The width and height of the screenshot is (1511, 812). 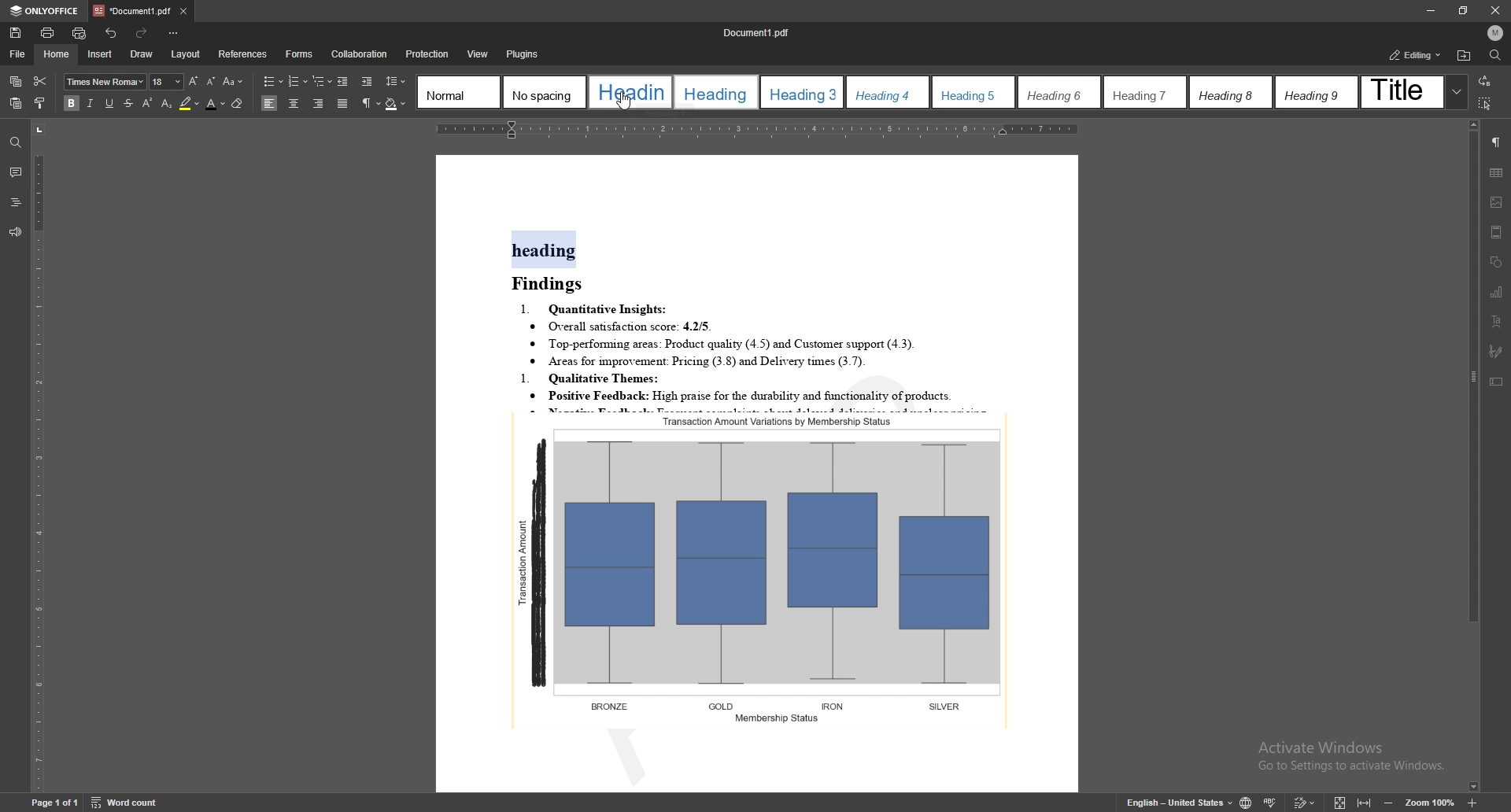 What do you see at coordinates (167, 82) in the screenshot?
I see `font size` at bounding box center [167, 82].